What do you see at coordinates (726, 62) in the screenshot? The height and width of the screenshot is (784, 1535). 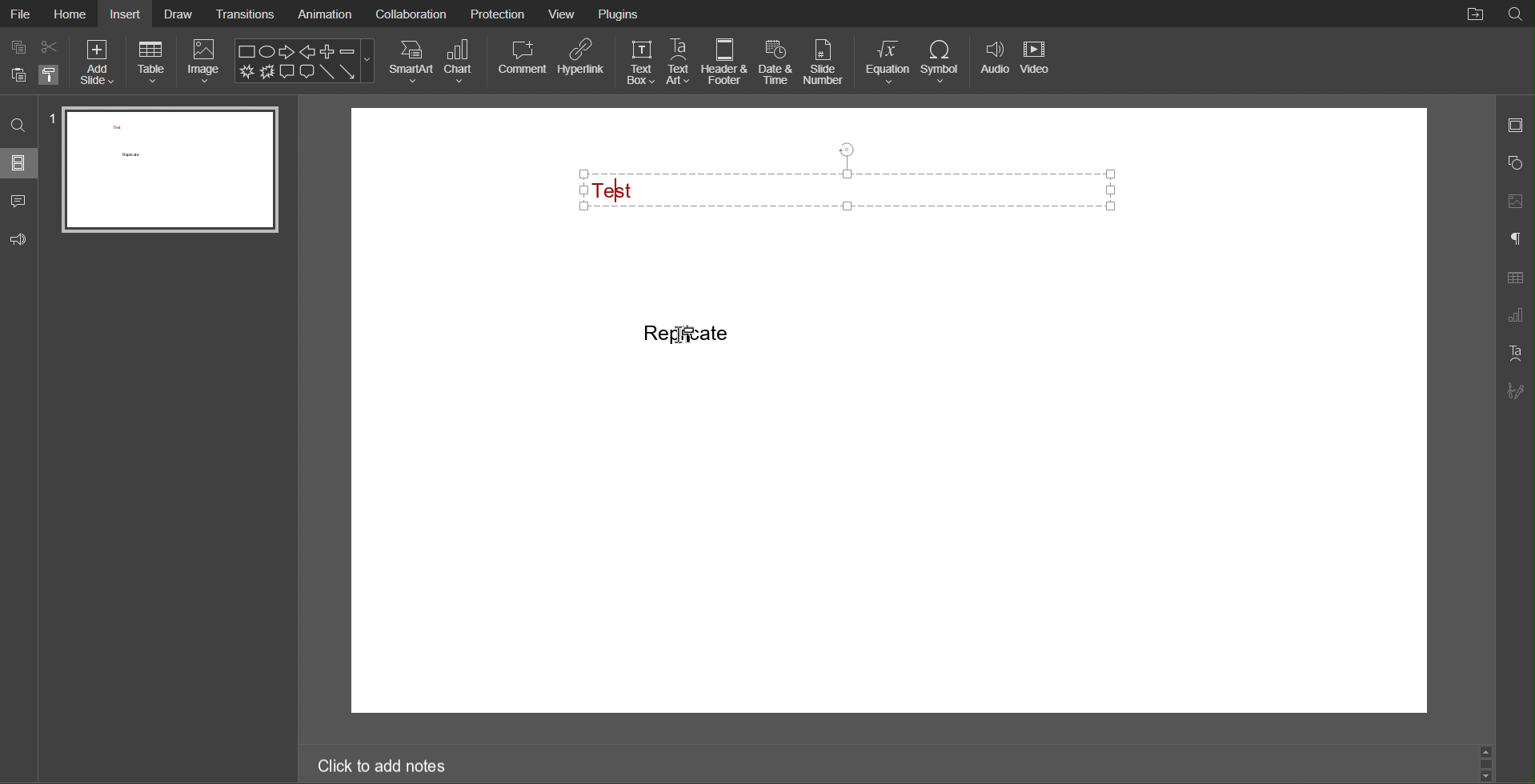 I see `Header & Footer` at bounding box center [726, 62].